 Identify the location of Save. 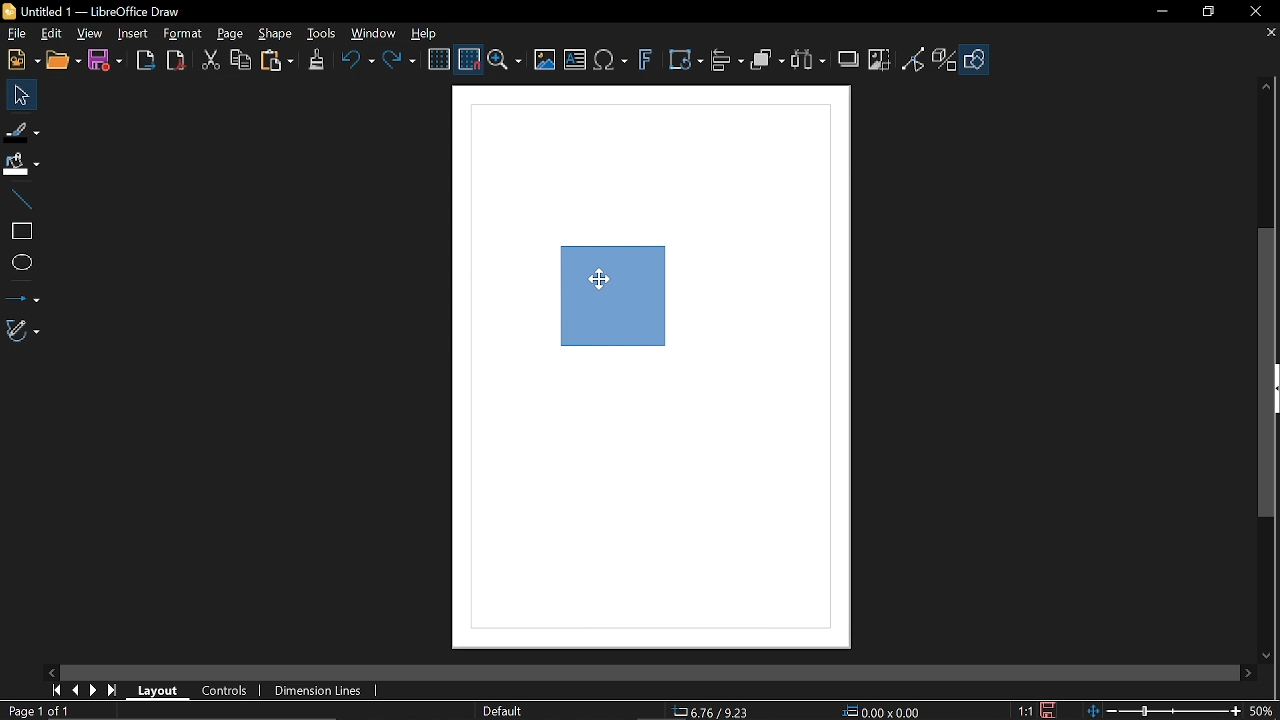
(104, 63).